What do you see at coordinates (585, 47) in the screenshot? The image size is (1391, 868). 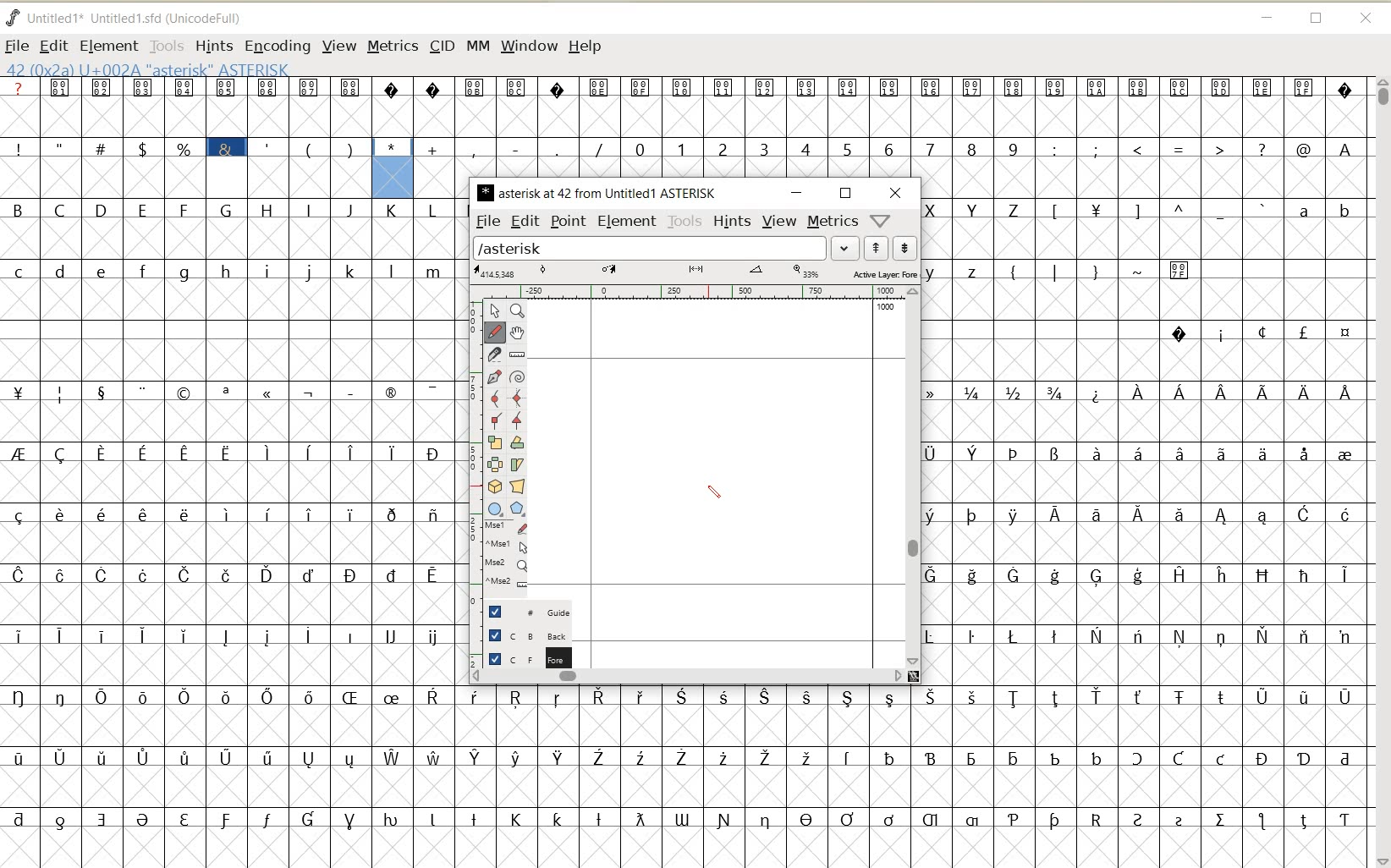 I see `HELP` at bounding box center [585, 47].